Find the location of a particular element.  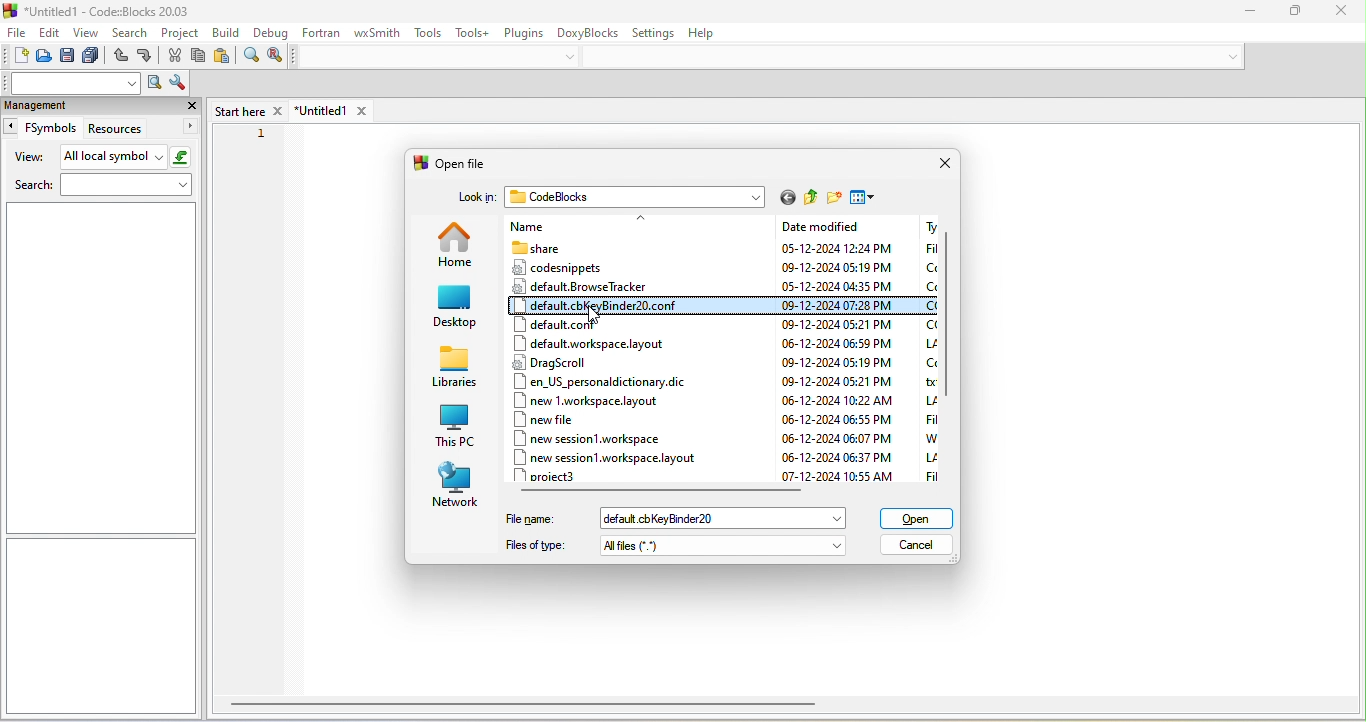

open file is located at coordinates (449, 161).